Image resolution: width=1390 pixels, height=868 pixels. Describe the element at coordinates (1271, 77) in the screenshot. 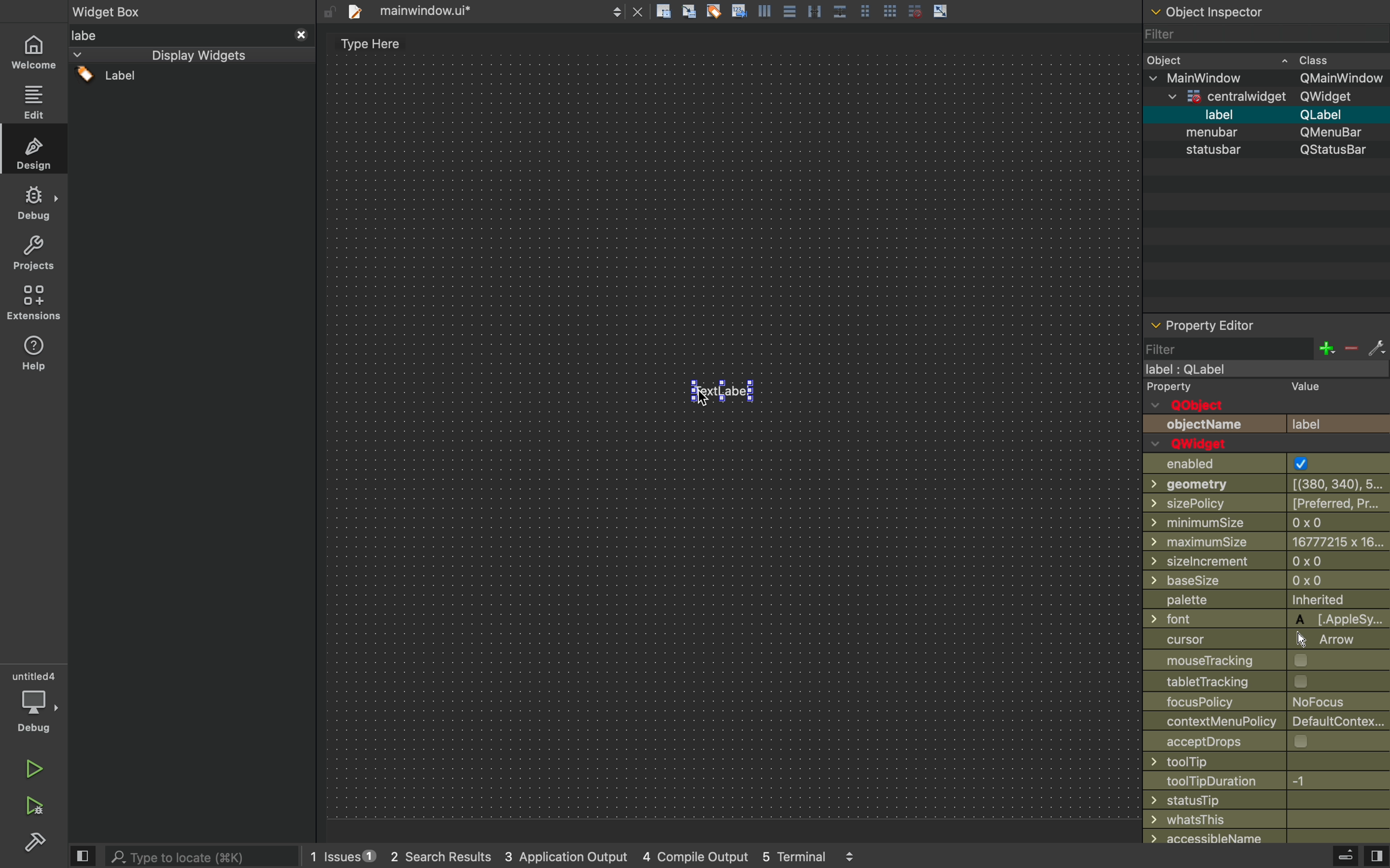

I see `mainwindow` at that location.